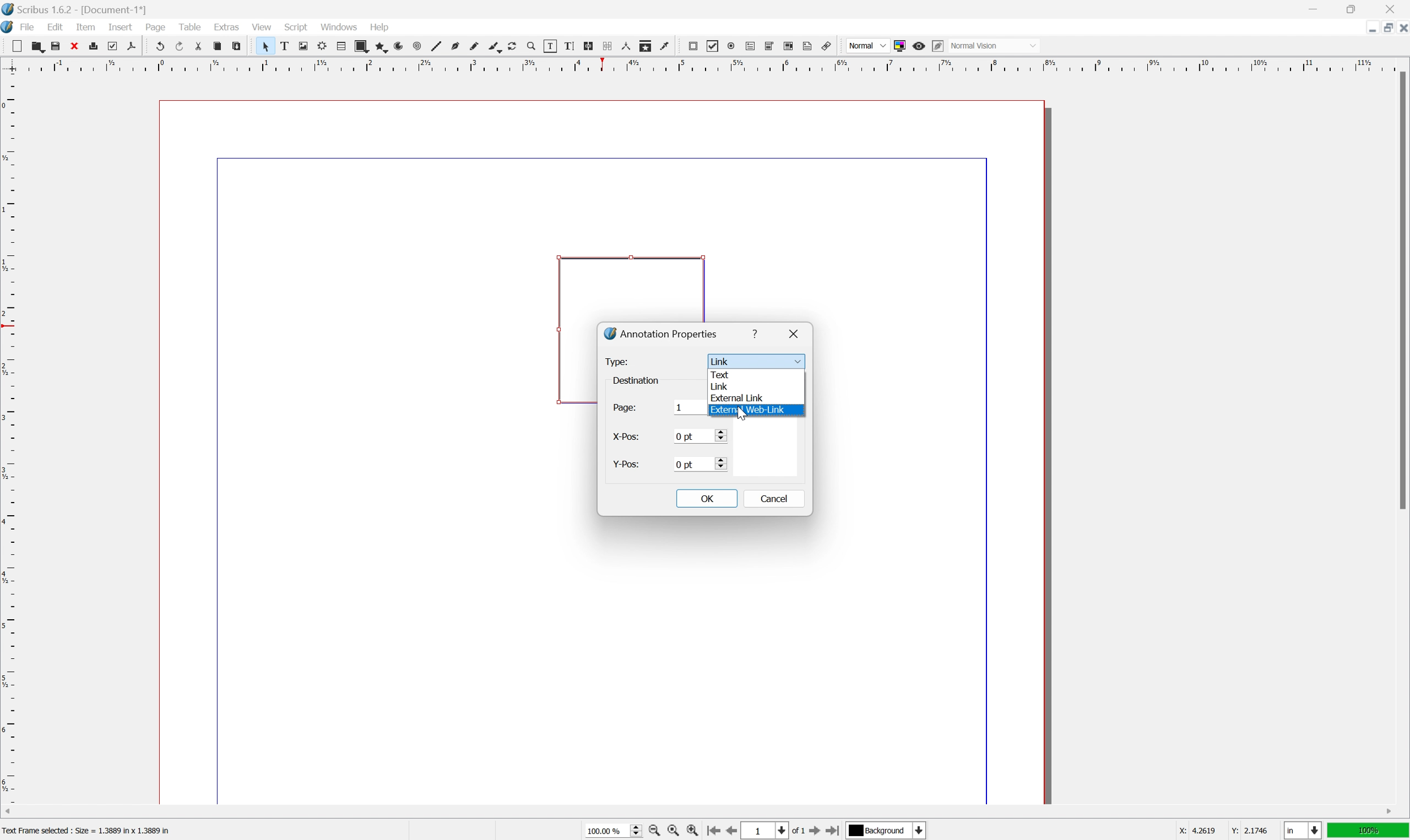 This screenshot has width=1410, height=840. Describe the element at coordinates (39, 46) in the screenshot. I see `open` at that location.